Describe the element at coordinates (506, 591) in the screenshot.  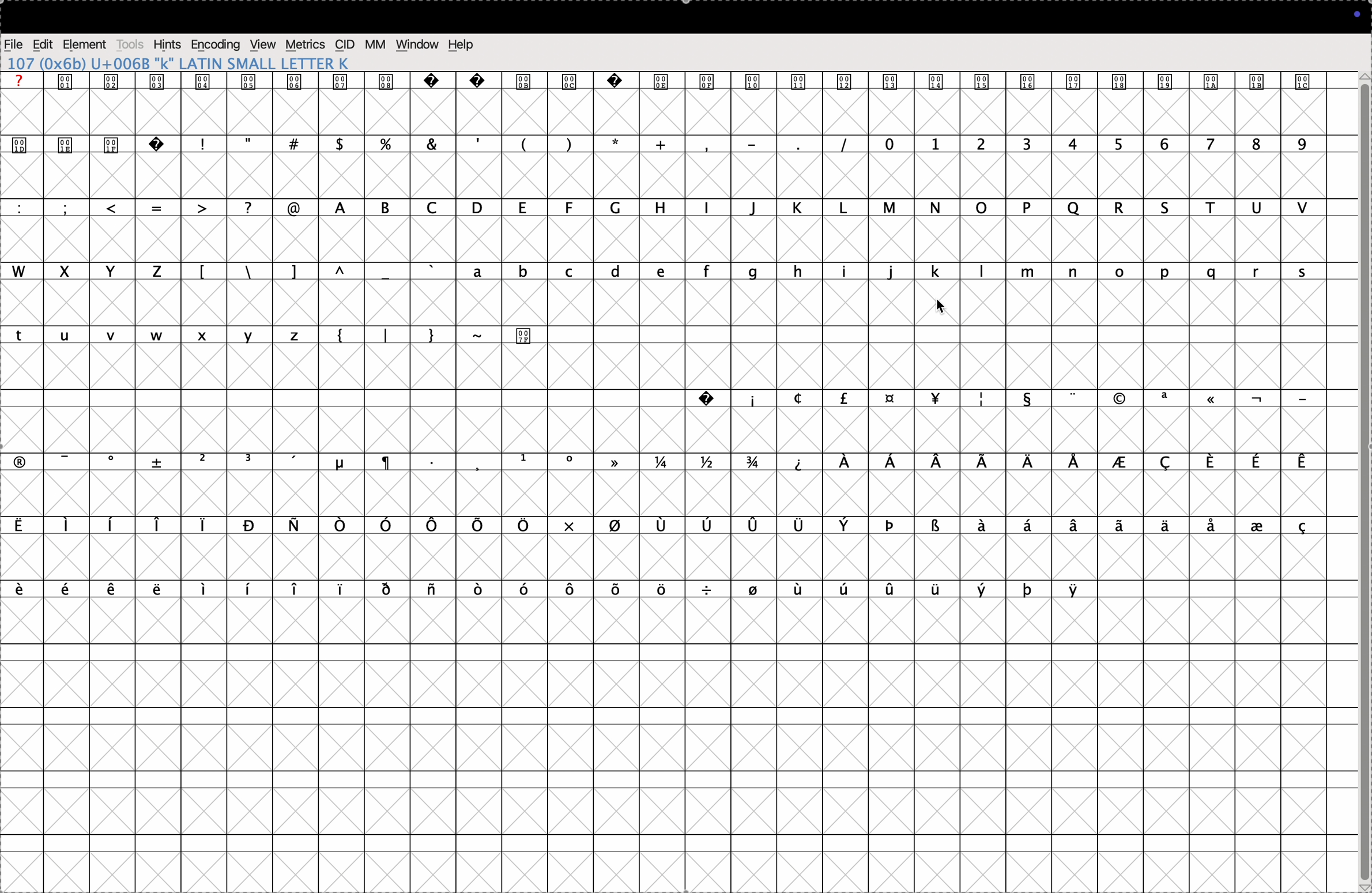
I see `symbol list of o` at that location.